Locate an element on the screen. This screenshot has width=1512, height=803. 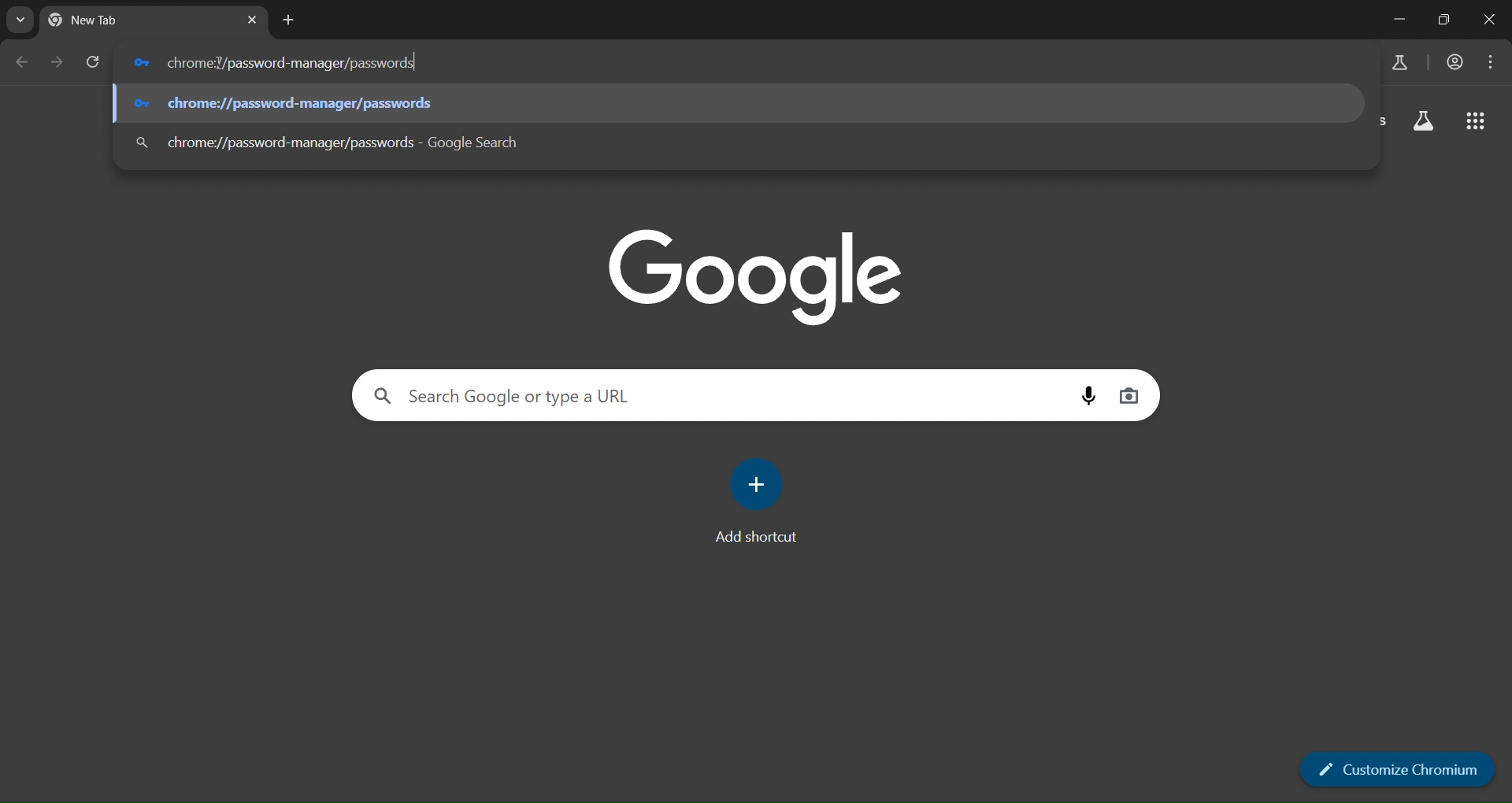
minimize is located at coordinates (1399, 20).